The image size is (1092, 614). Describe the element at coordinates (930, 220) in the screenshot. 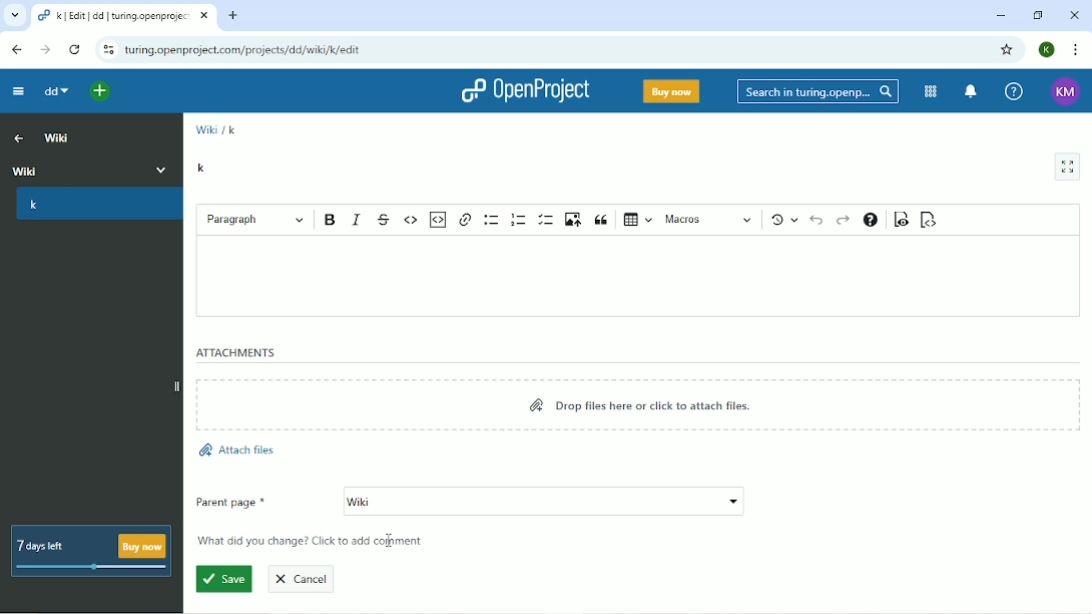

I see `Switch to markdown source` at that location.